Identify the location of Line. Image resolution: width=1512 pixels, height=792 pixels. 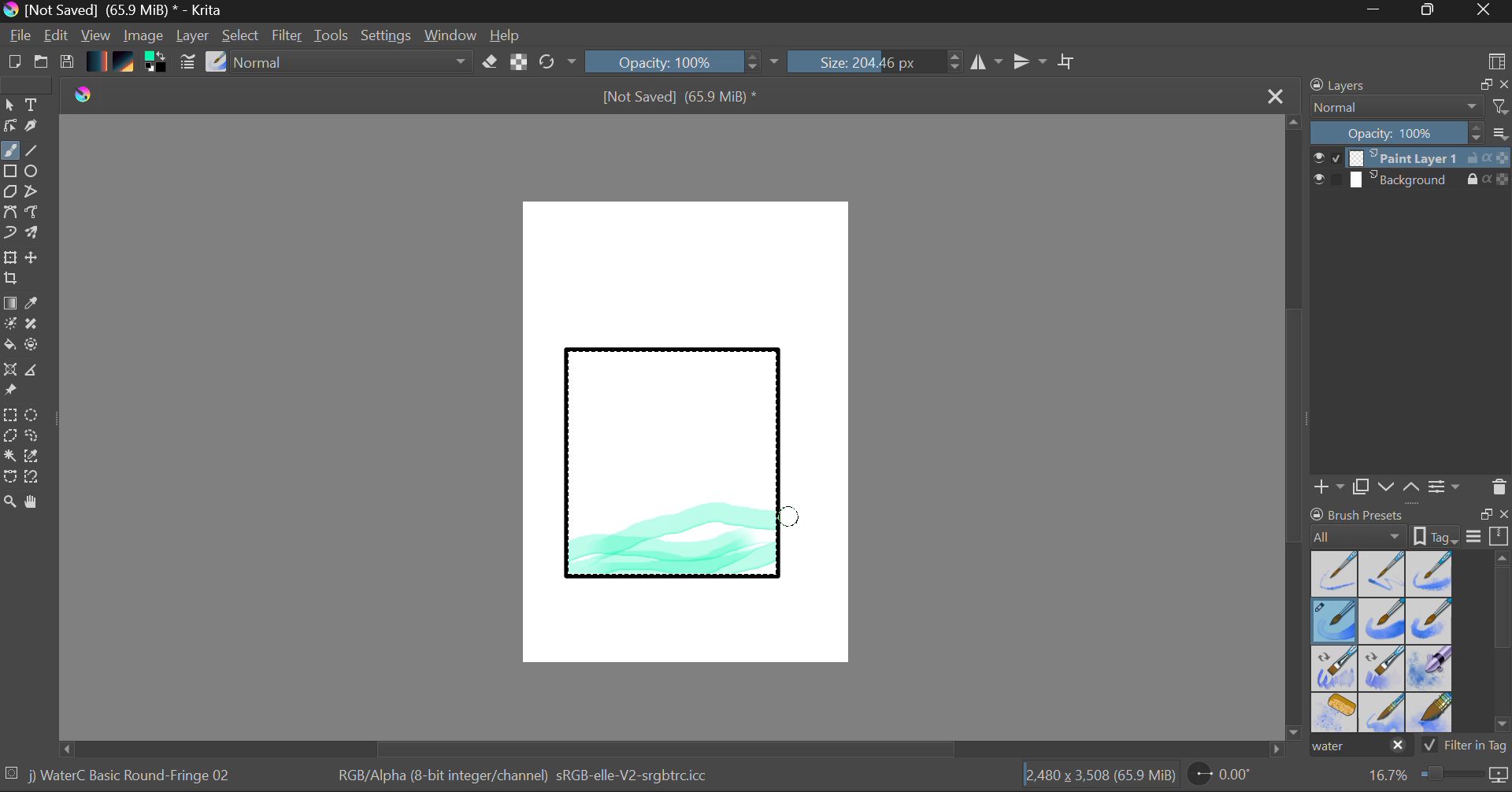
(32, 151).